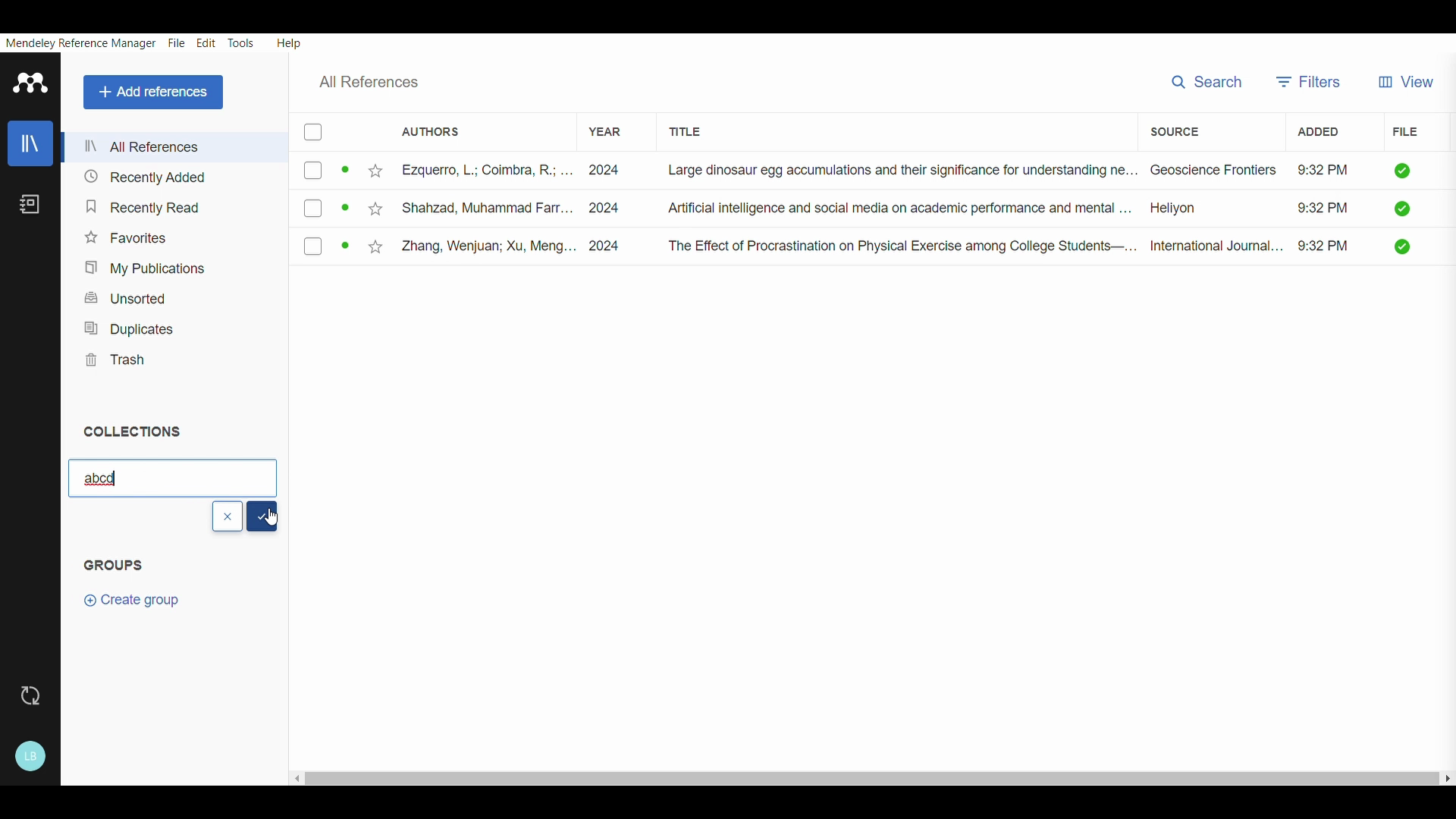 This screenshot has height=819, width=1456. What do you see at coordinates (132, 298) in the screenshot?
I see `Unsorted` at bounding box center [132, 298].